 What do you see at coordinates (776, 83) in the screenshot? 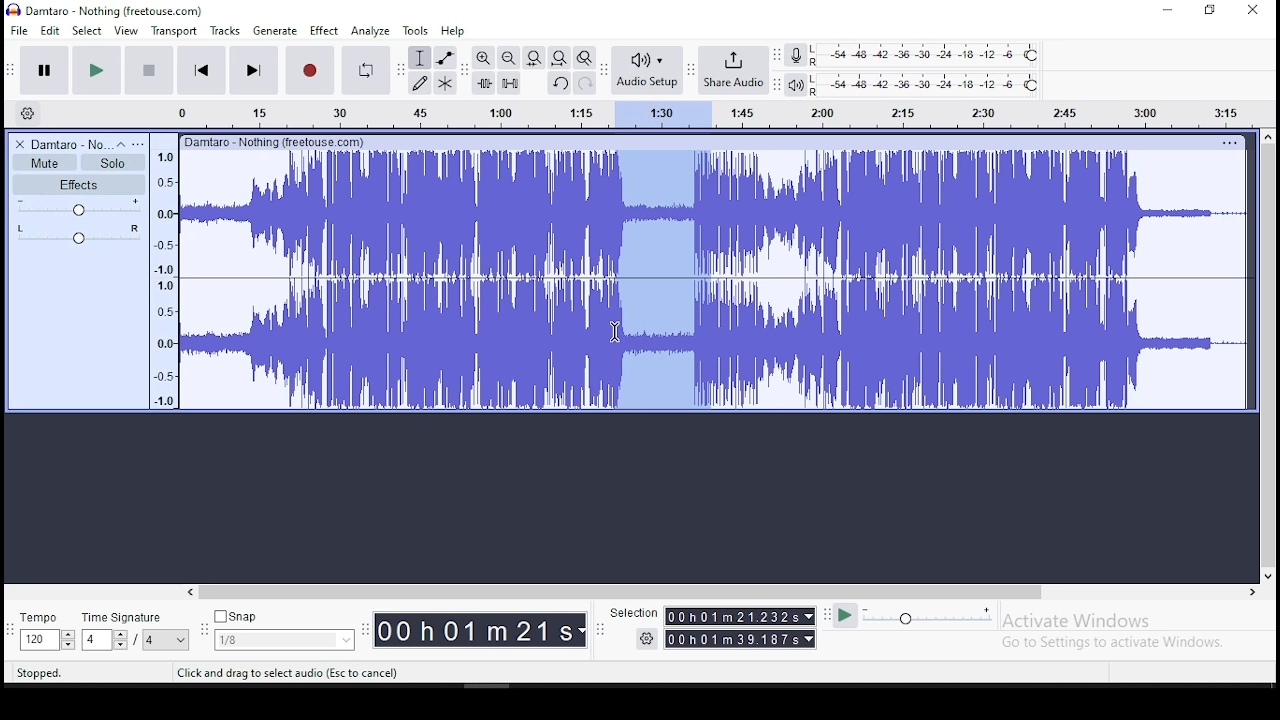
I see `` at bounding box center [776, 83].